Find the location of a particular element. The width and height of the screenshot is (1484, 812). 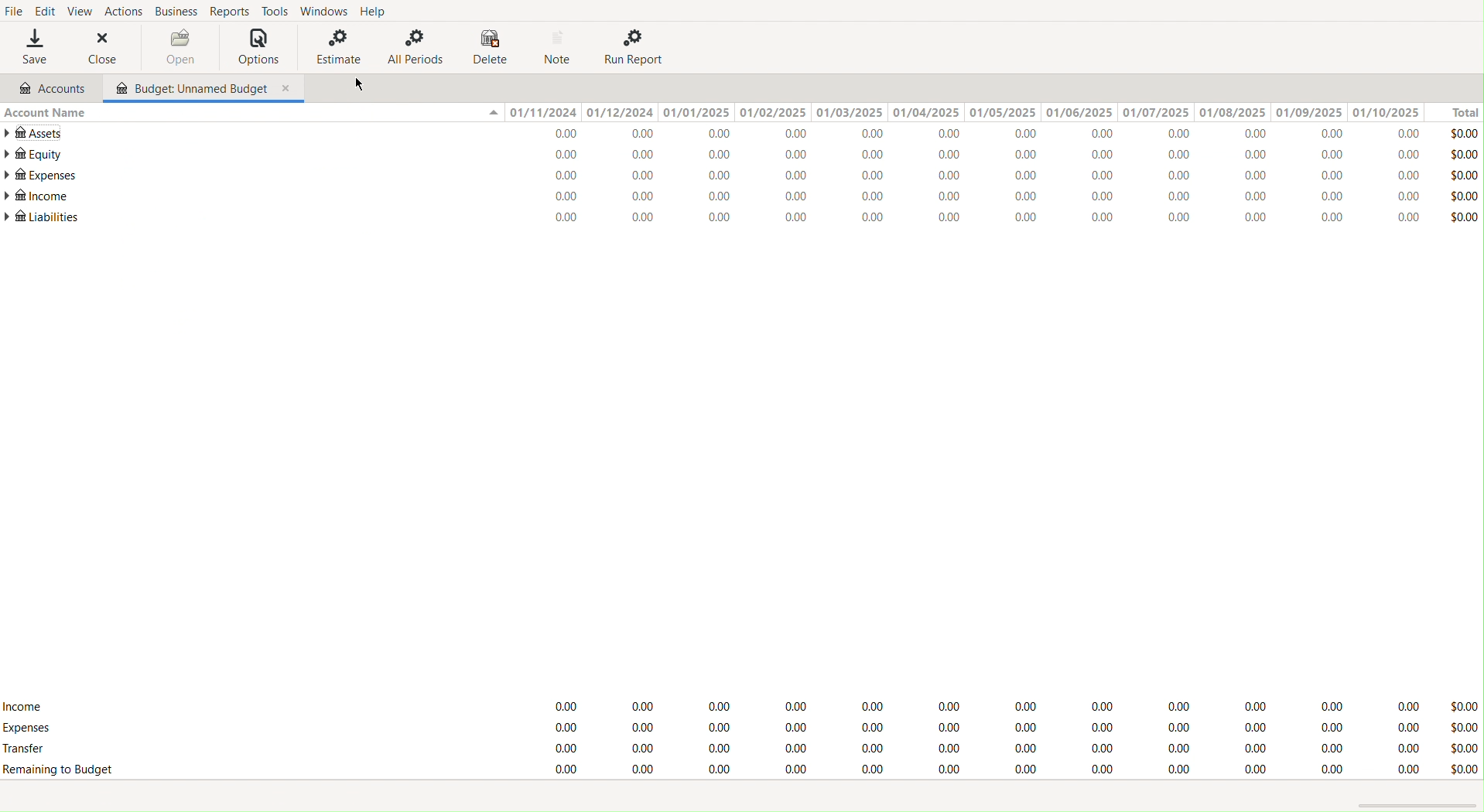

Delete is located at coordinates (491, 47).